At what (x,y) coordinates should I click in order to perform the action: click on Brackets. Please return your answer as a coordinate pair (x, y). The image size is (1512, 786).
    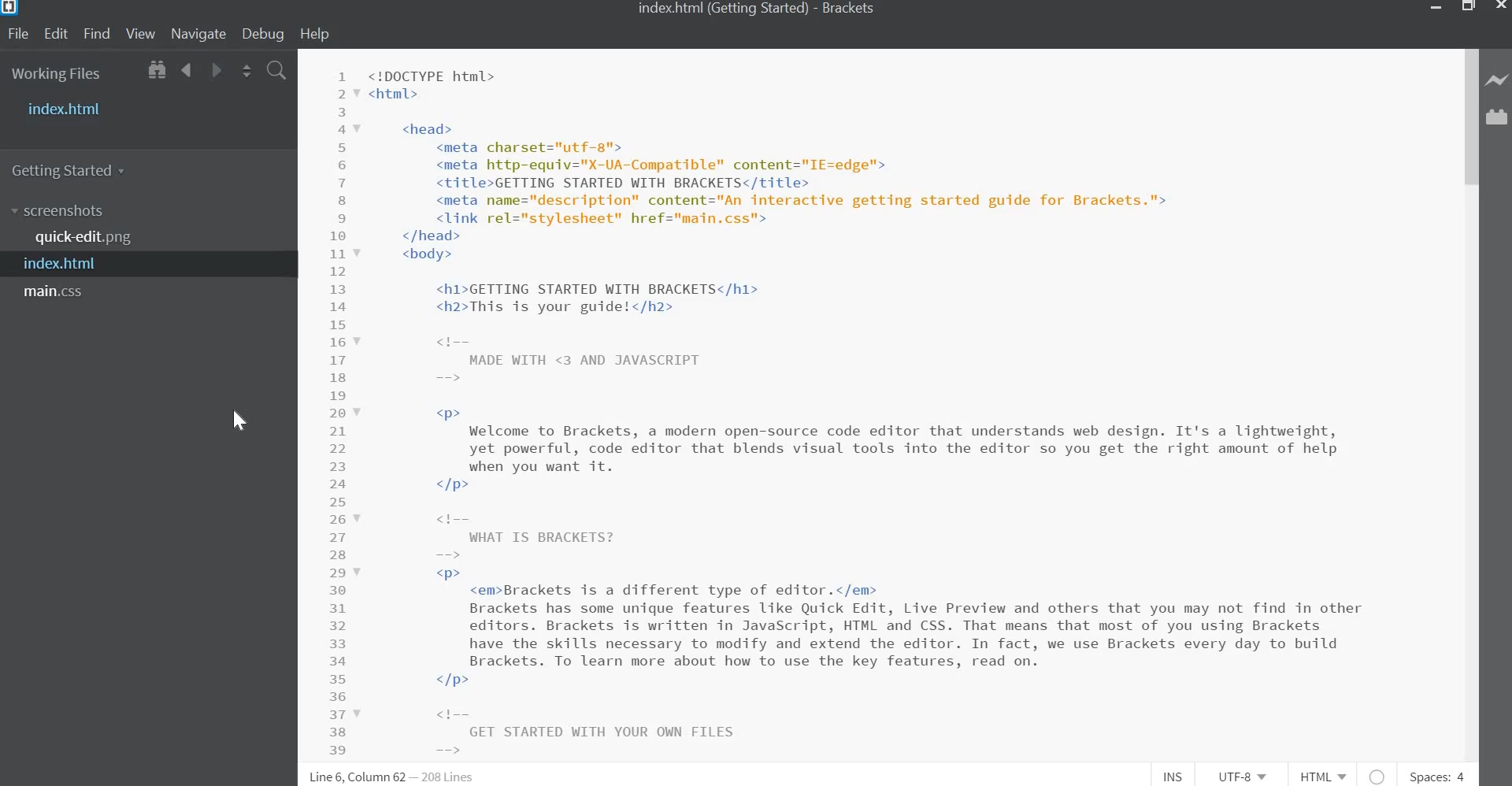
    Looking at the image, I should click on (852, 10).